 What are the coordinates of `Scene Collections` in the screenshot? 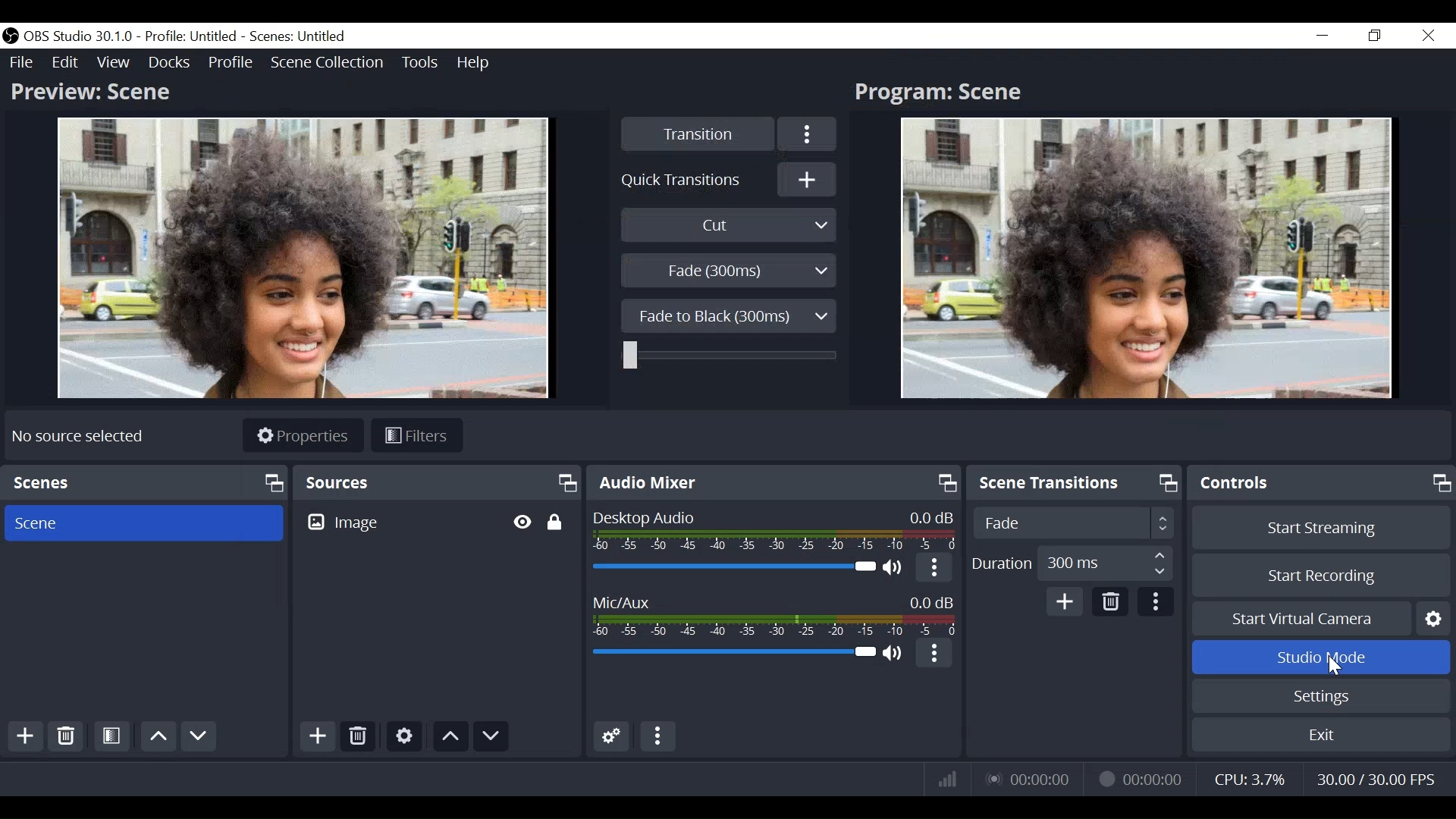 It's located at (327, 64).